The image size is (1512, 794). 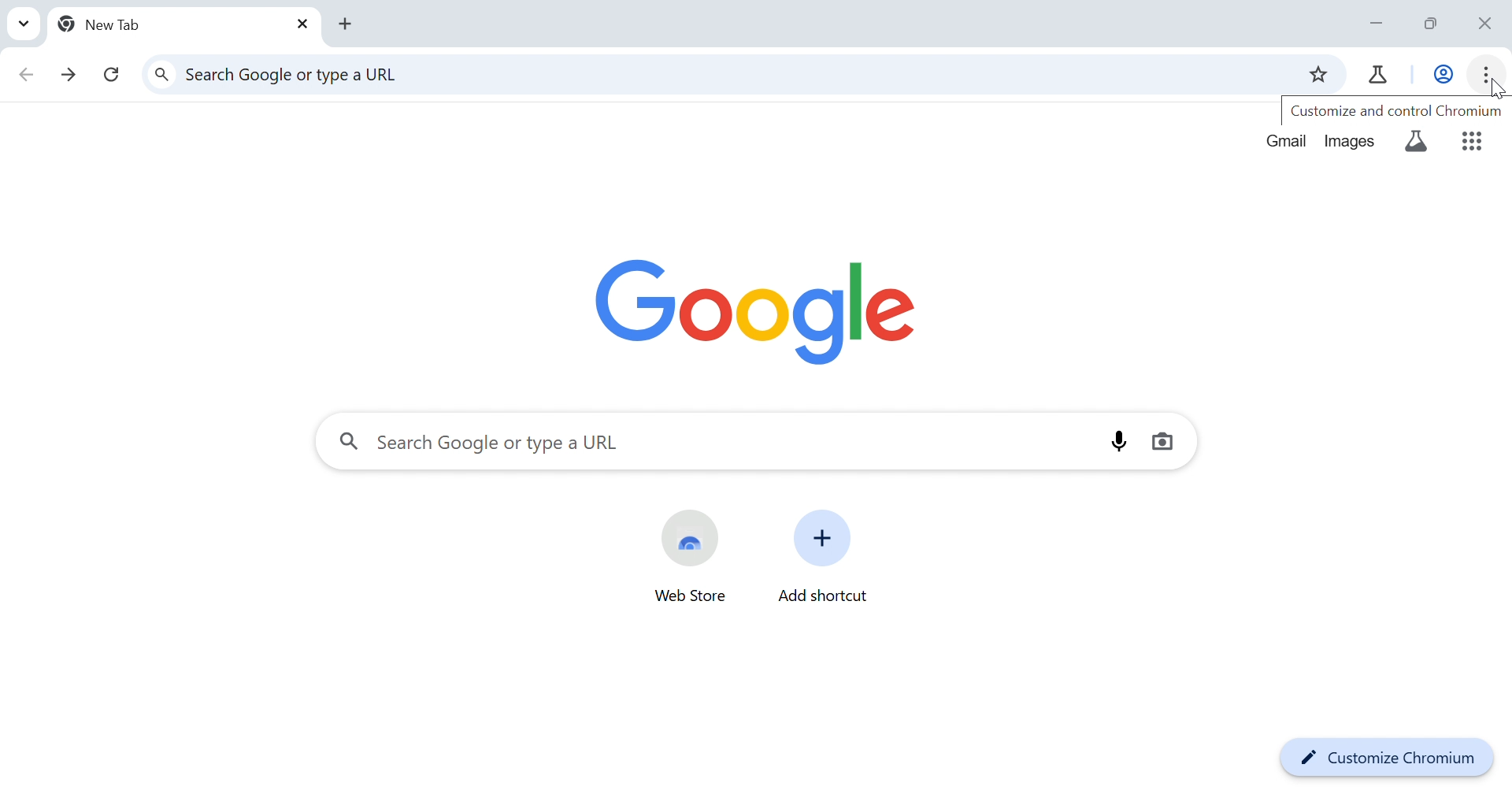 I want to click on New tab, so click(x=106, y=24).